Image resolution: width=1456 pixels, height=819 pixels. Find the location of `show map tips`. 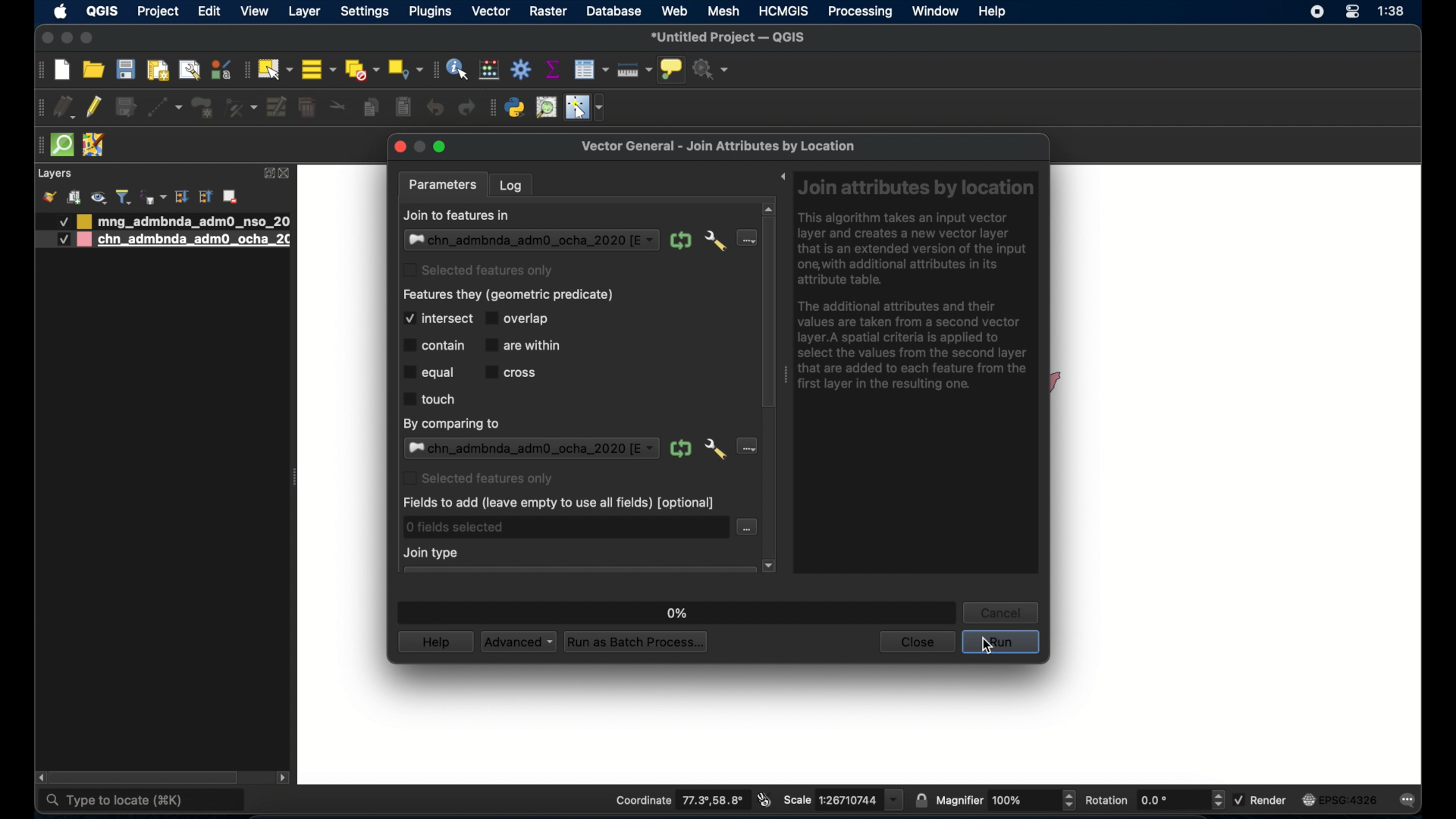

show map tips is located at coordinates (671, 69).